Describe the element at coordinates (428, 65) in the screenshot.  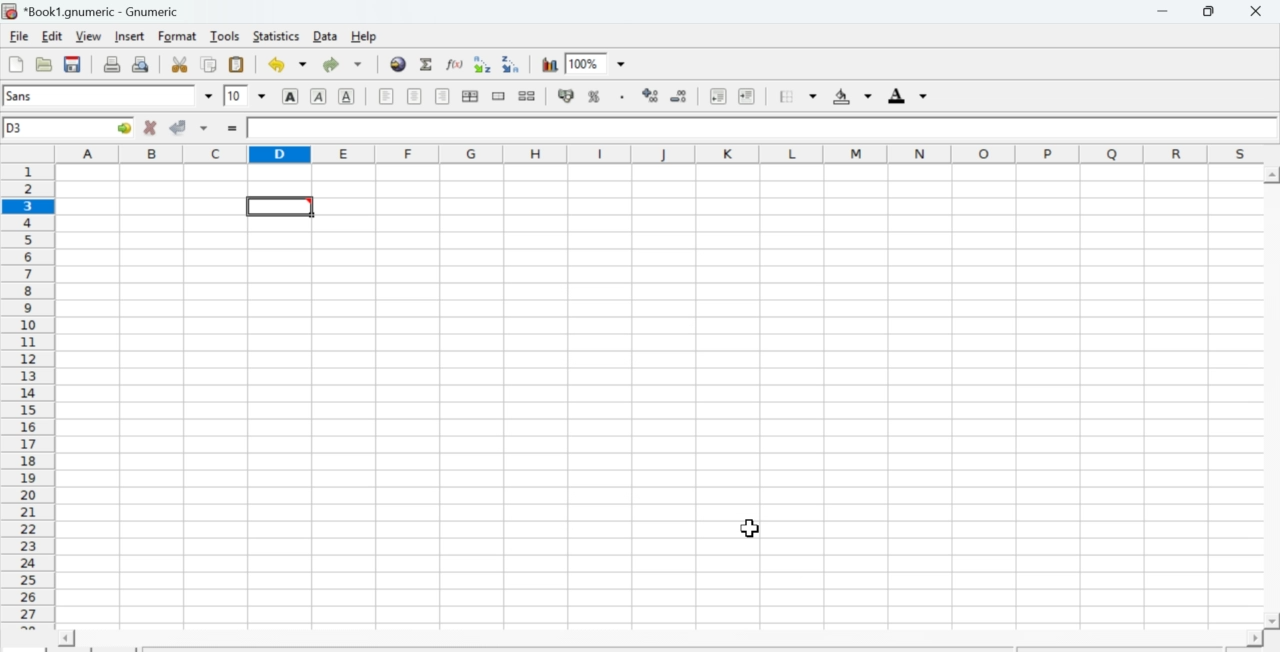
I see `Sum` at that location.